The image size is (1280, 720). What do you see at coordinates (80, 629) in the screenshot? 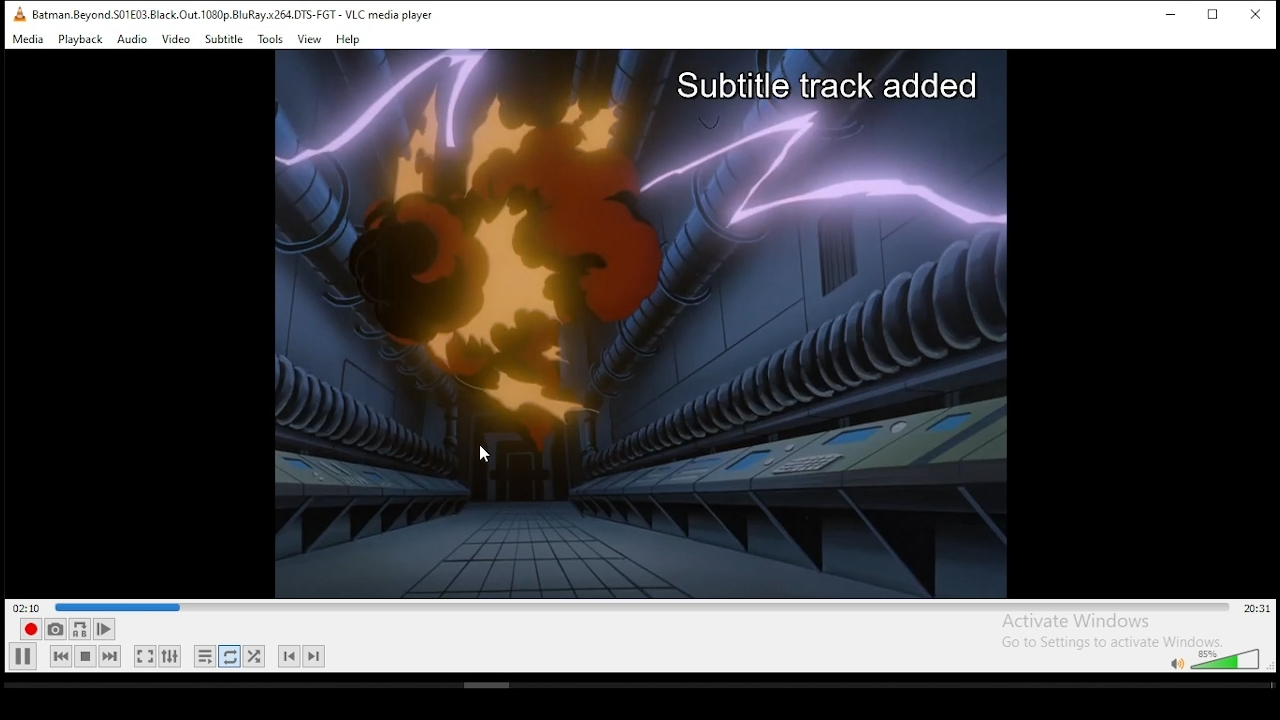
I see `loop between point A to point B continuously. click ad point A` at bounding box center [80, 629].